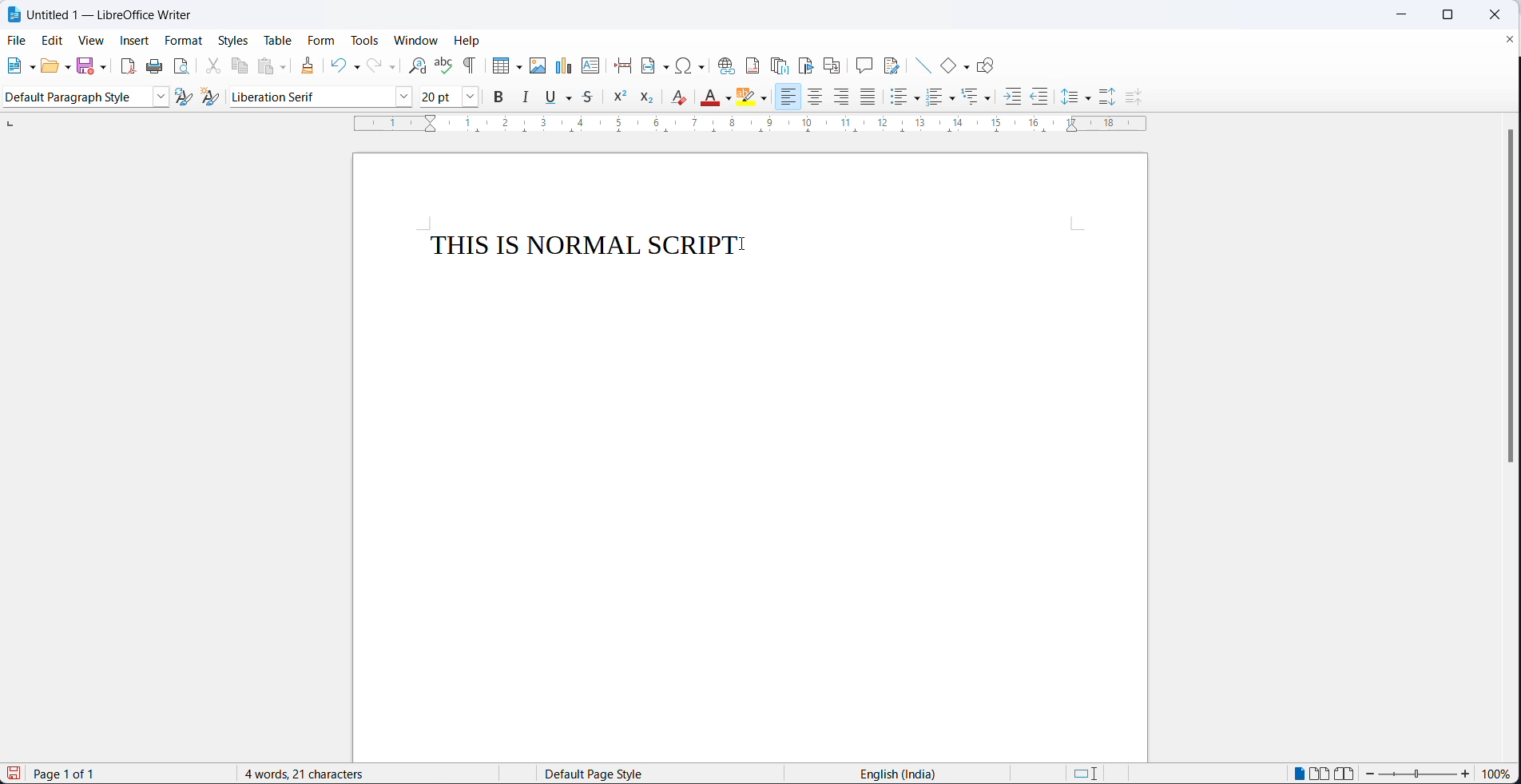 Image resolution: width=1521 pixels, height=784 pixels. What do you see at coordinates (14, 14) in the screenshot?
I see `libreoffice logo` at bounding box center [14, 14].